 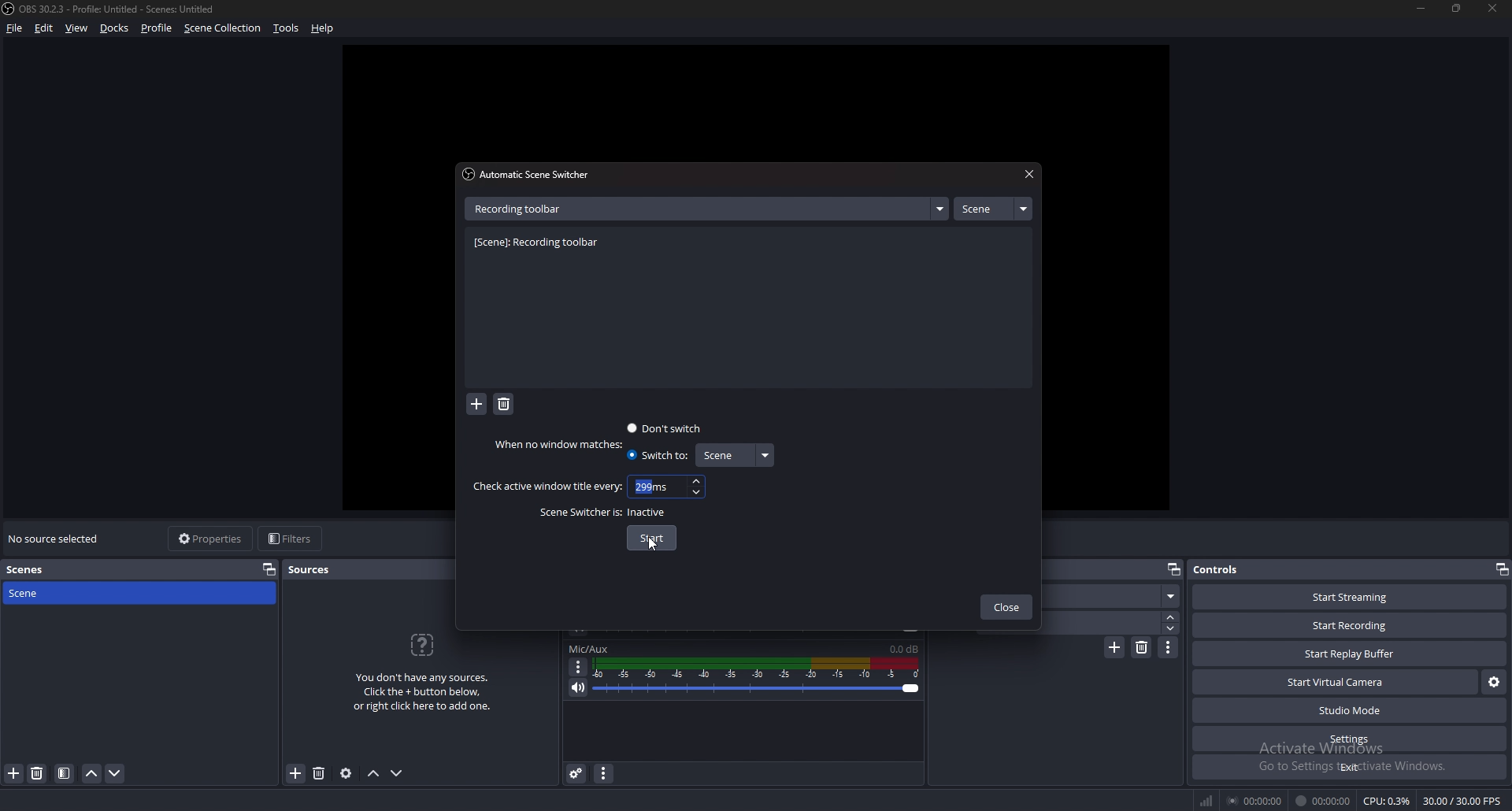 What do you see at coordinates (1351, 739) in the screenshot?
I see `settings` at bounding box center [1351, 739].